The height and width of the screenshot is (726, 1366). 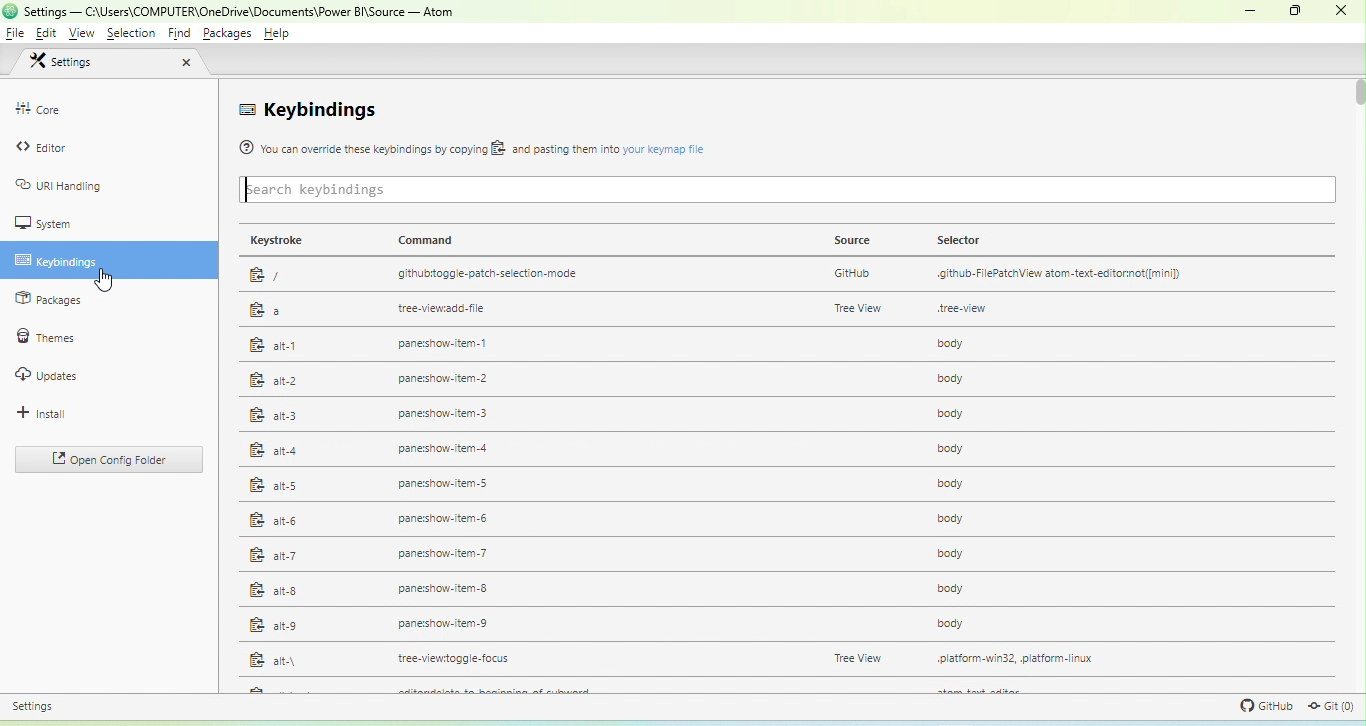 I want to click on app icon, so click(x=9, y=11).